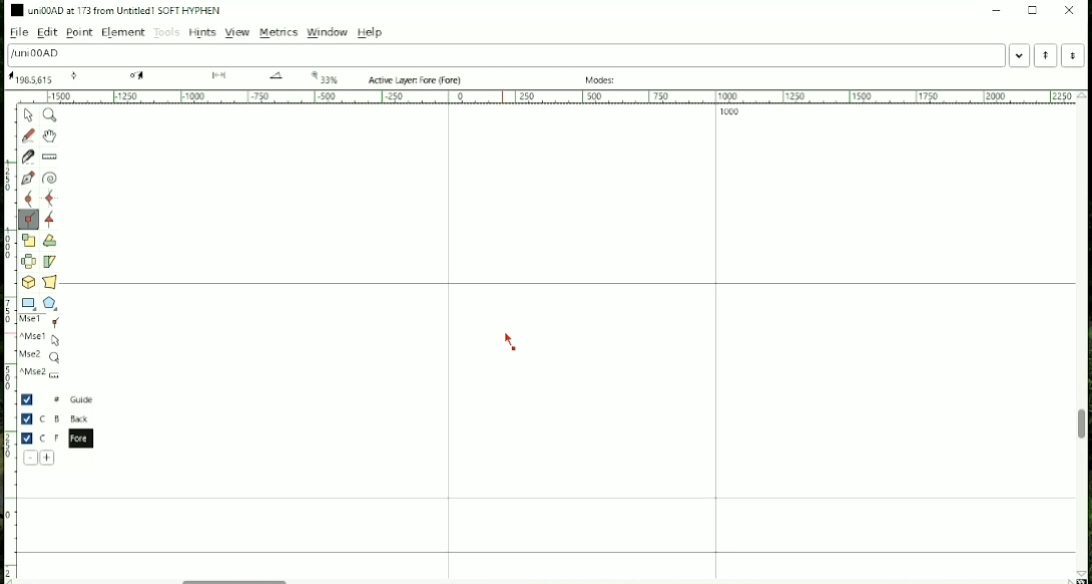  What do you see at coordinates (167, 33) in the screenshot?
I see `Tools` at bounding box center [167, 33].